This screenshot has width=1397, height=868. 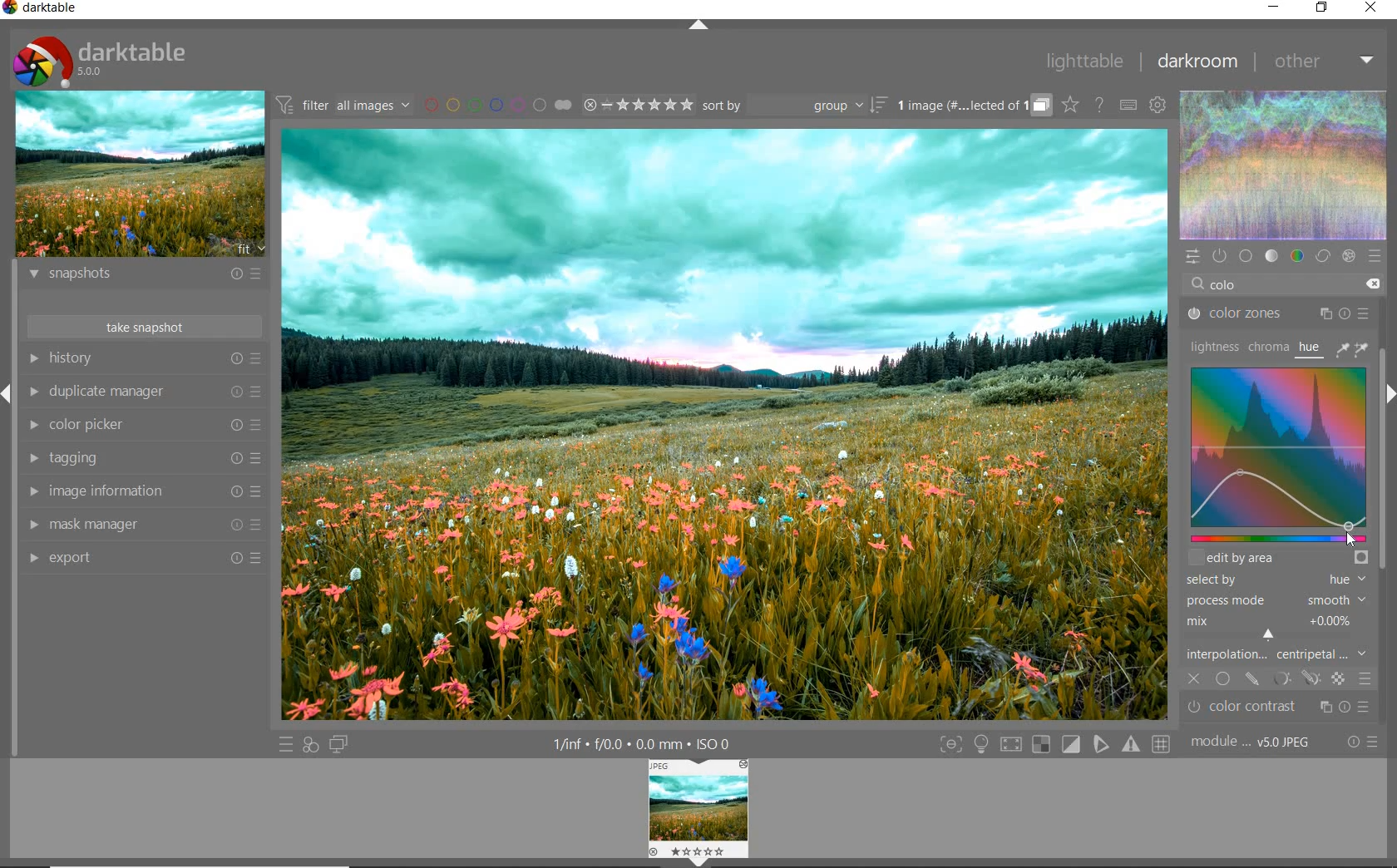 What do you see at coordinates (342, 106) in the screenshot?
I see `filter all images by module order` at bounding box center [342, 106].